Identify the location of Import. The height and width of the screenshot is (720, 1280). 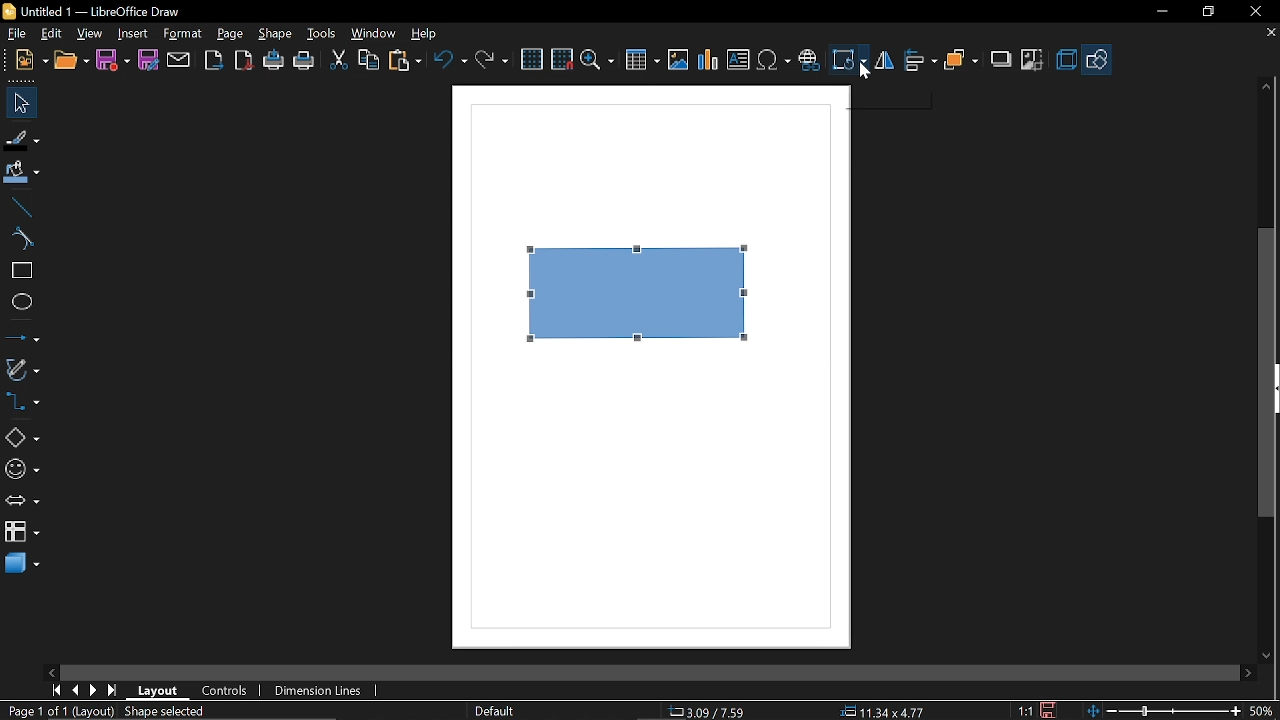
(215, 61).